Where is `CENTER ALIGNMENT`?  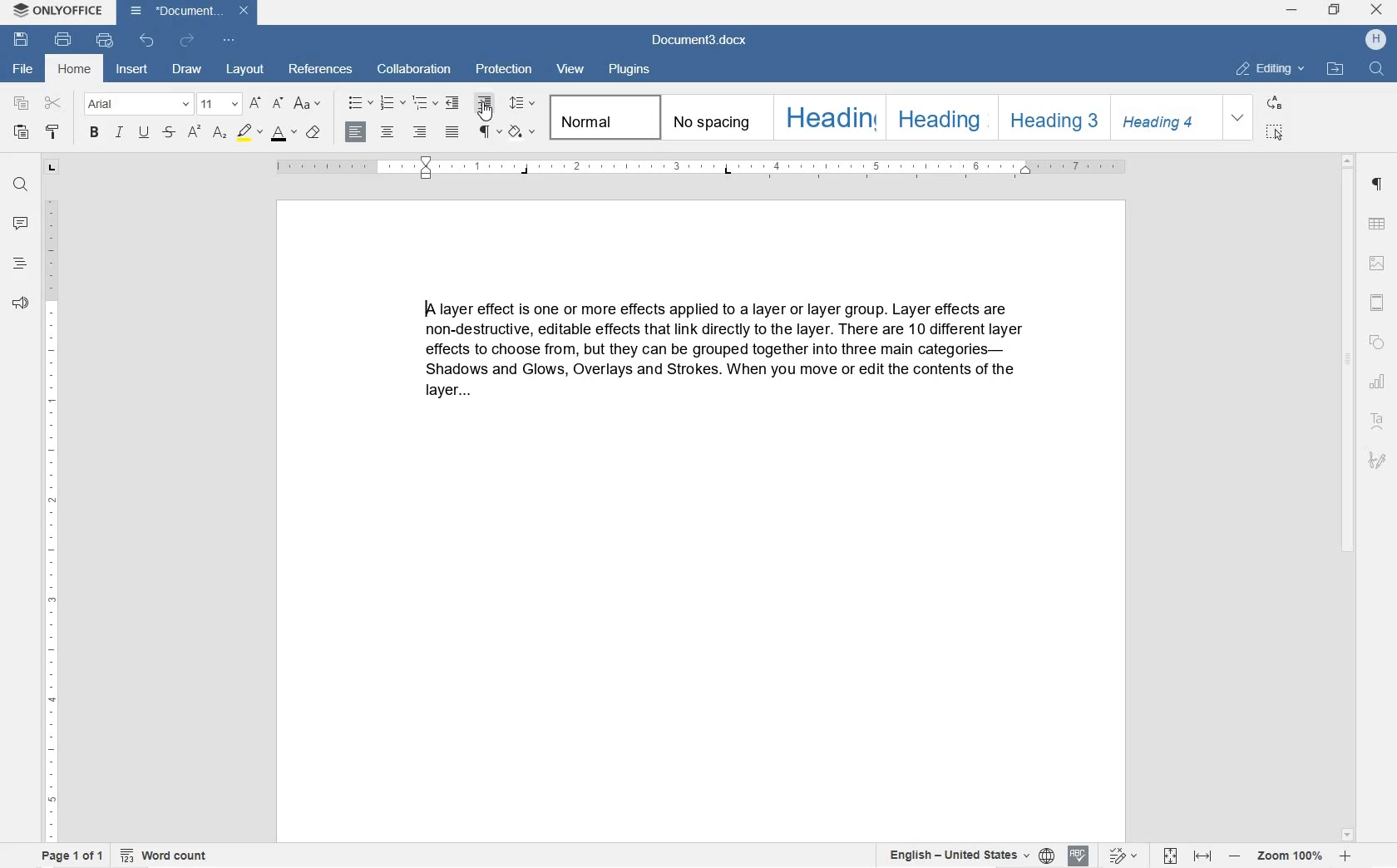
CENTER ALIGNMENT is located at coordinates (387, 133).